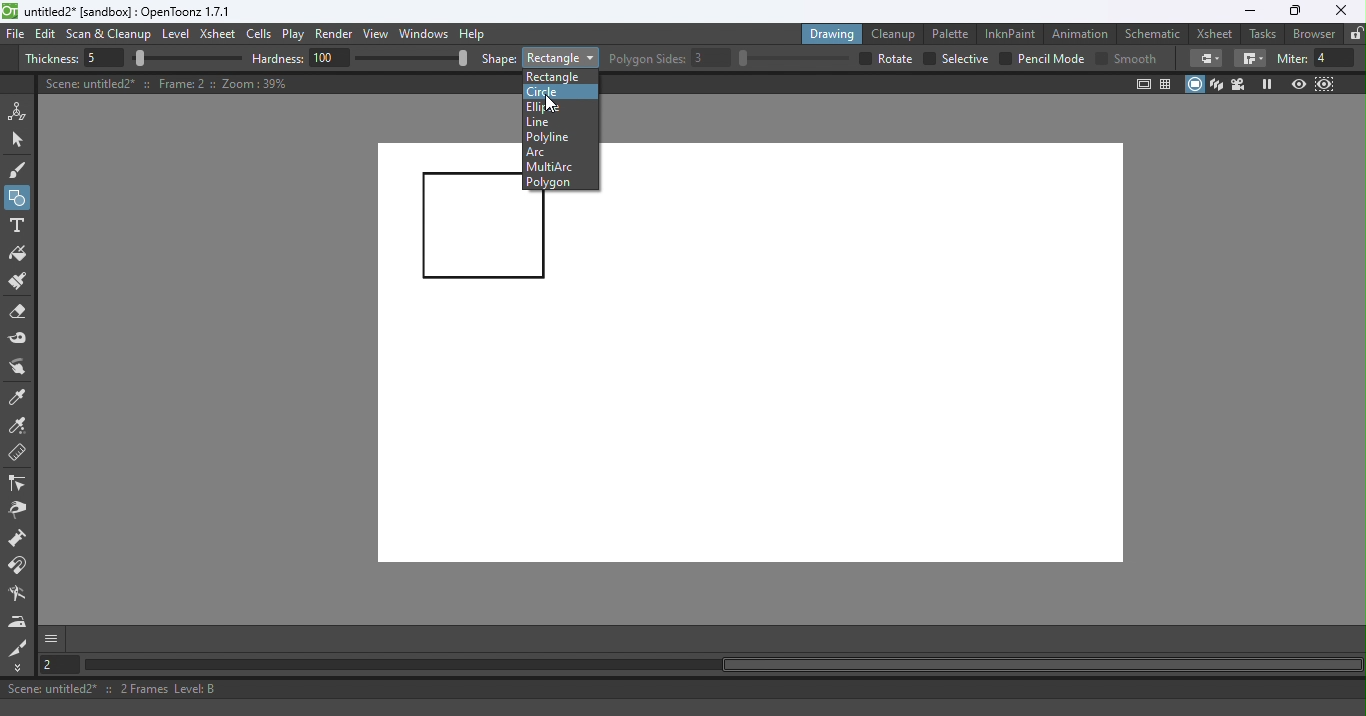  What do you see at coordinates (953, 33) in the screenshot?
I see `Palette` at bounding box center [953, 33].